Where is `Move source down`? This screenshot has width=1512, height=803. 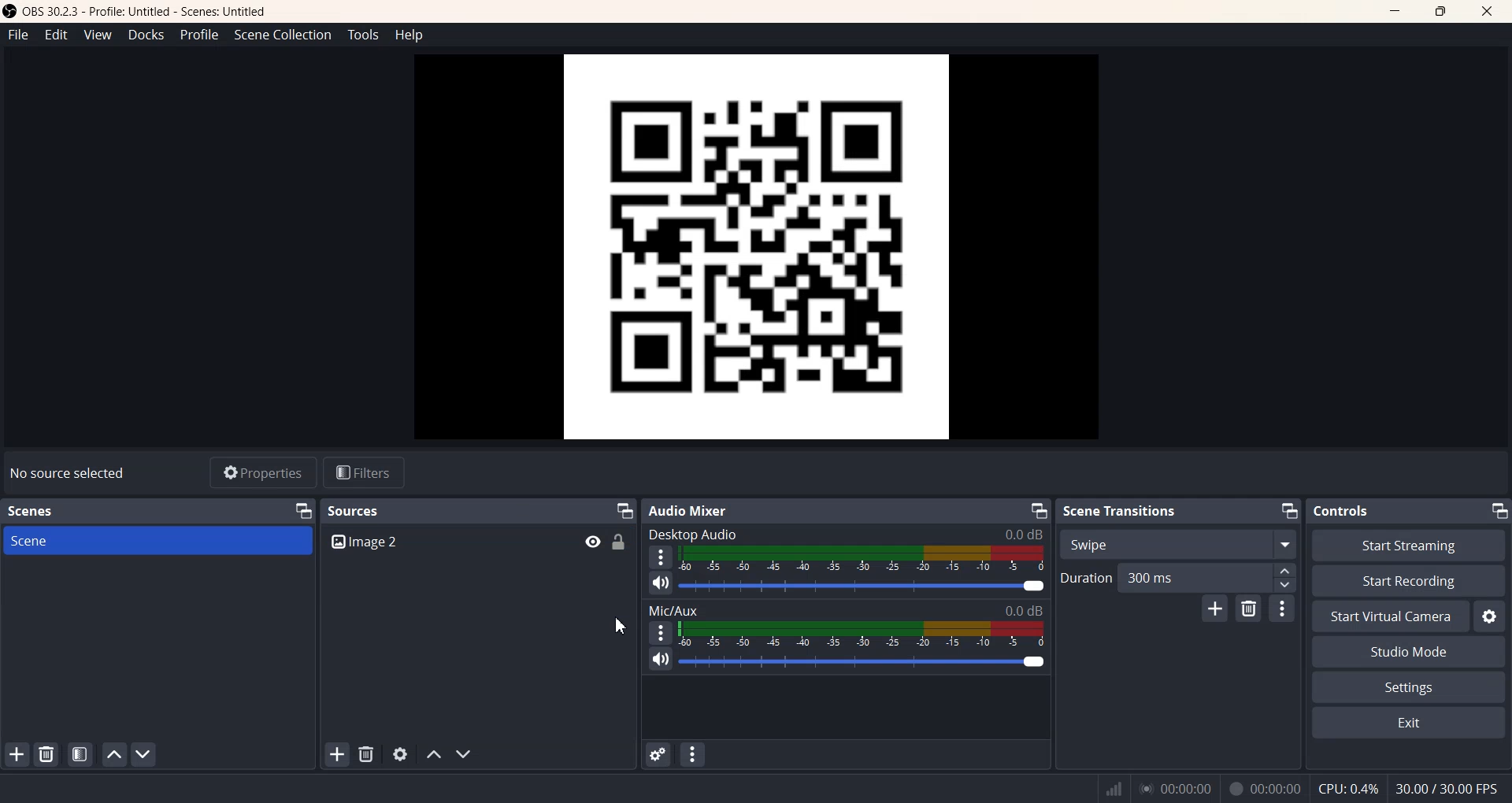
Move source down is located at coordinates (463, 754).